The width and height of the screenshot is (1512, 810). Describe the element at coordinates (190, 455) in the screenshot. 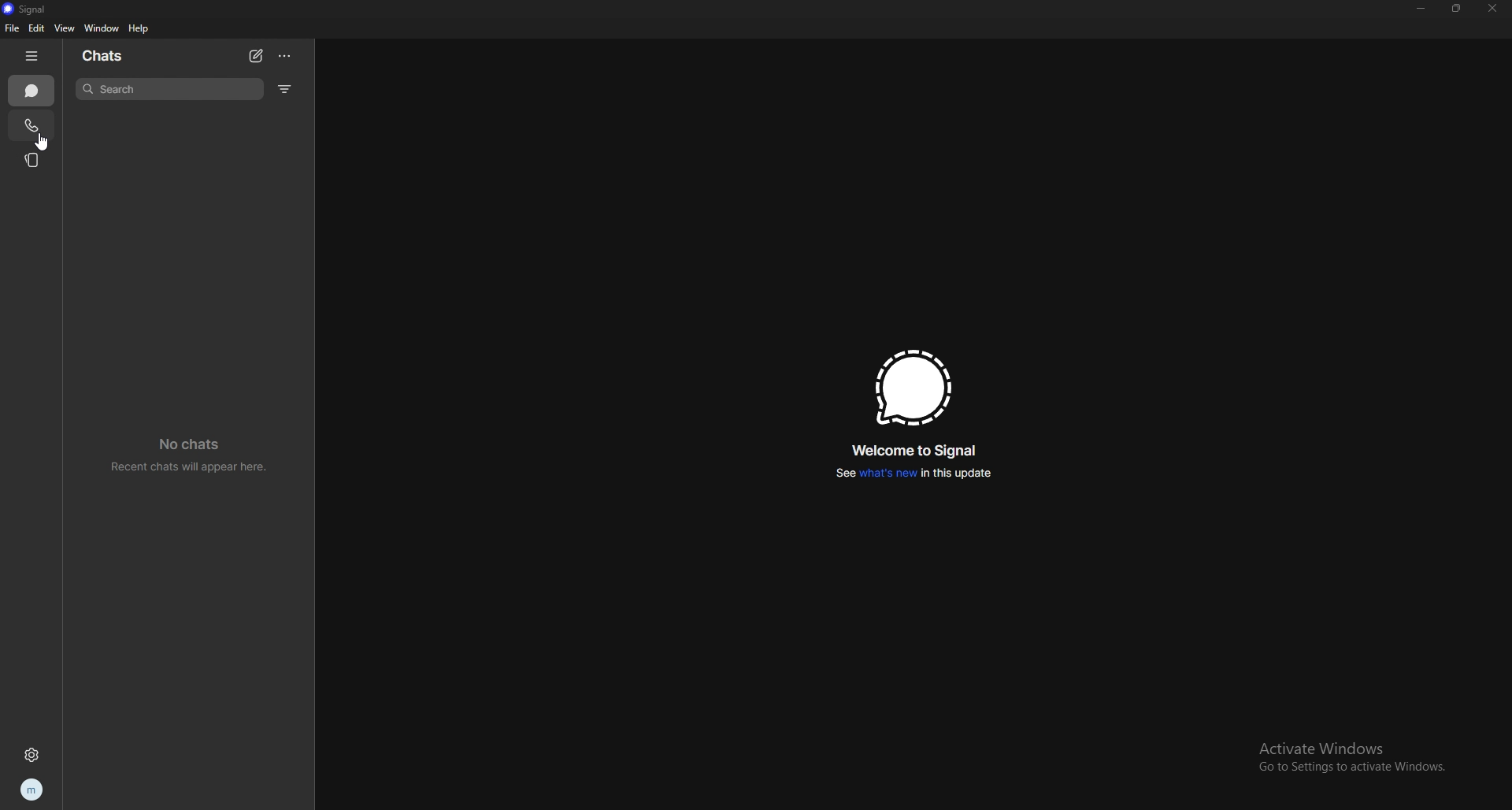

I see `no chats recent chats will appear here` at that location.